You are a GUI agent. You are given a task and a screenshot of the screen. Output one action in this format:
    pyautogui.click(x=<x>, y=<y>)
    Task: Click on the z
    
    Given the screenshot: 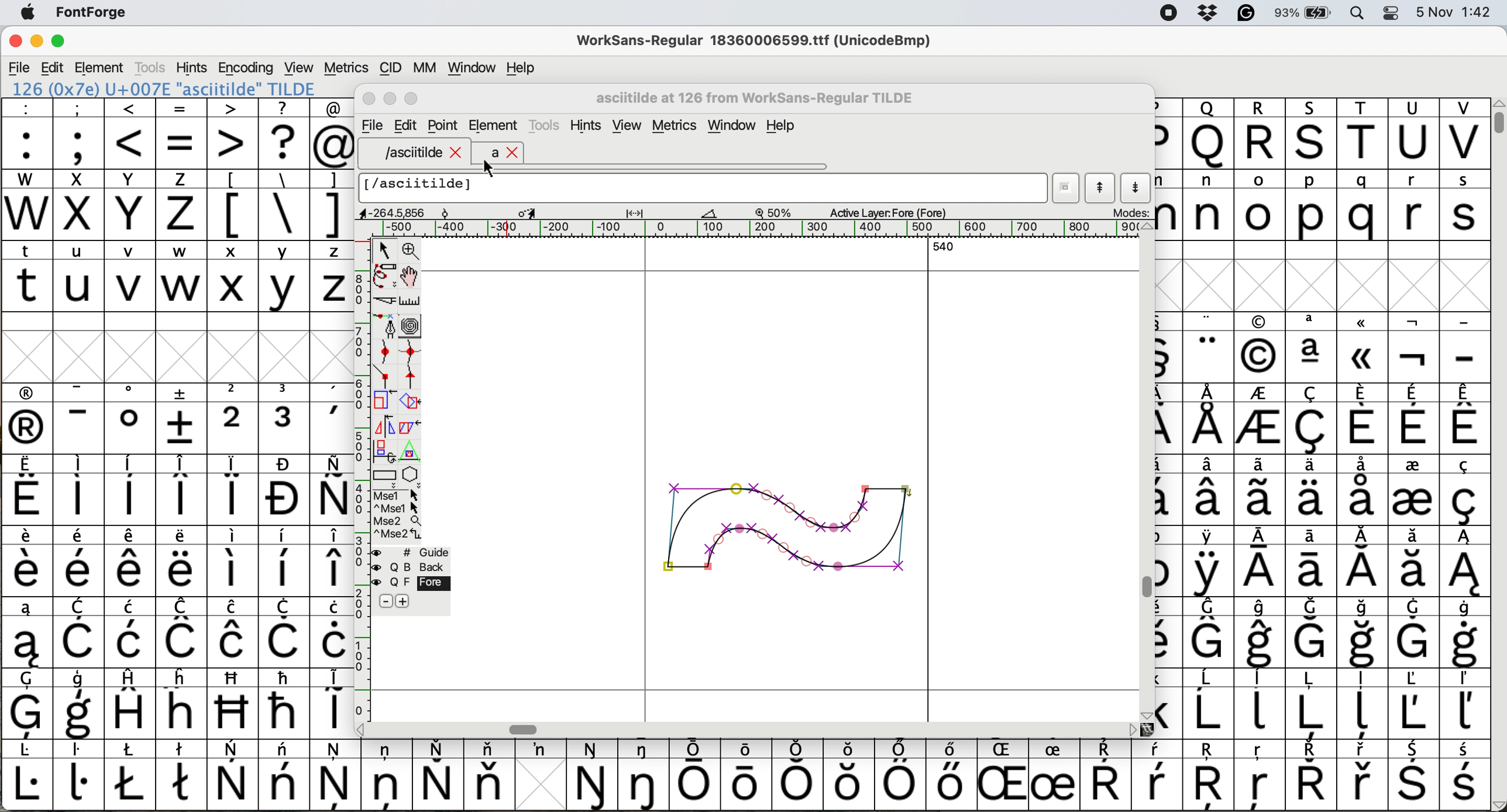 What is the action you would take?
    pyautogui.click(x=332, y=276)
    